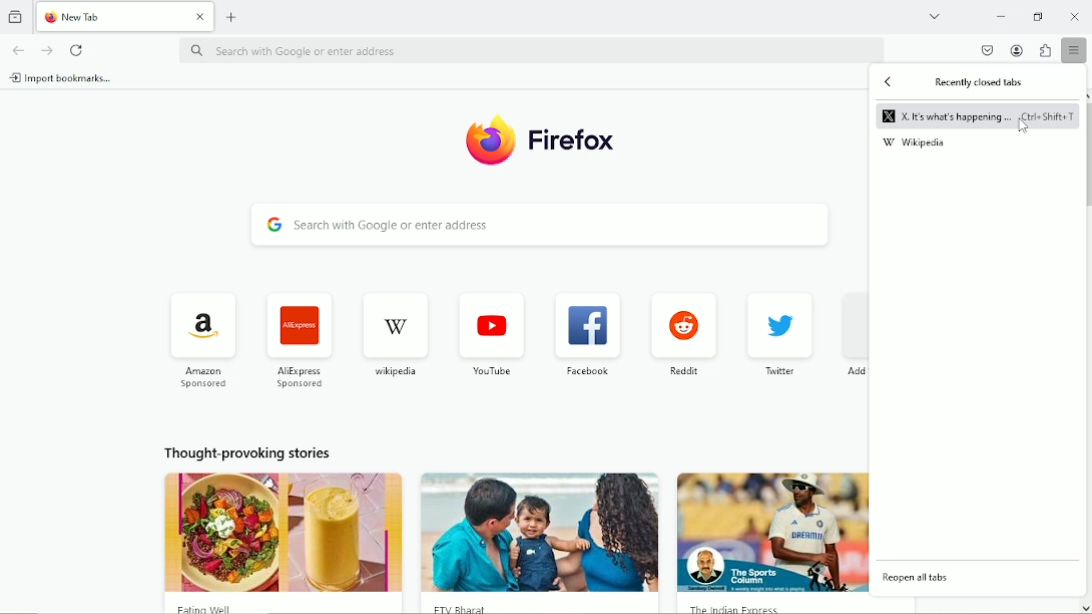  I want to click on Back, so click(890, 84).